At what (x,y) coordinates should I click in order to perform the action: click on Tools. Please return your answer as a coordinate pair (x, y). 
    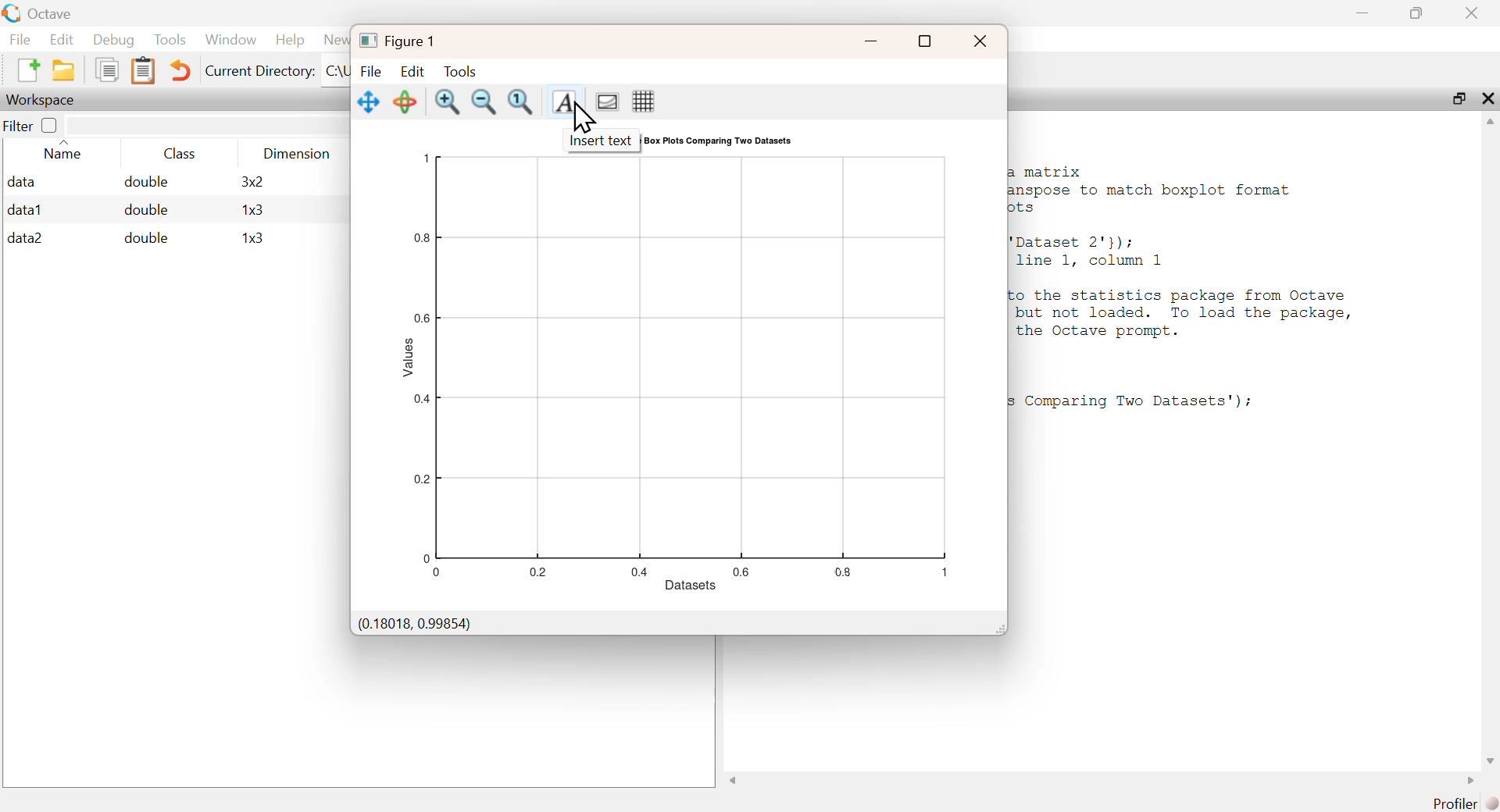
    Looking at the image, I should click on (463, 71).